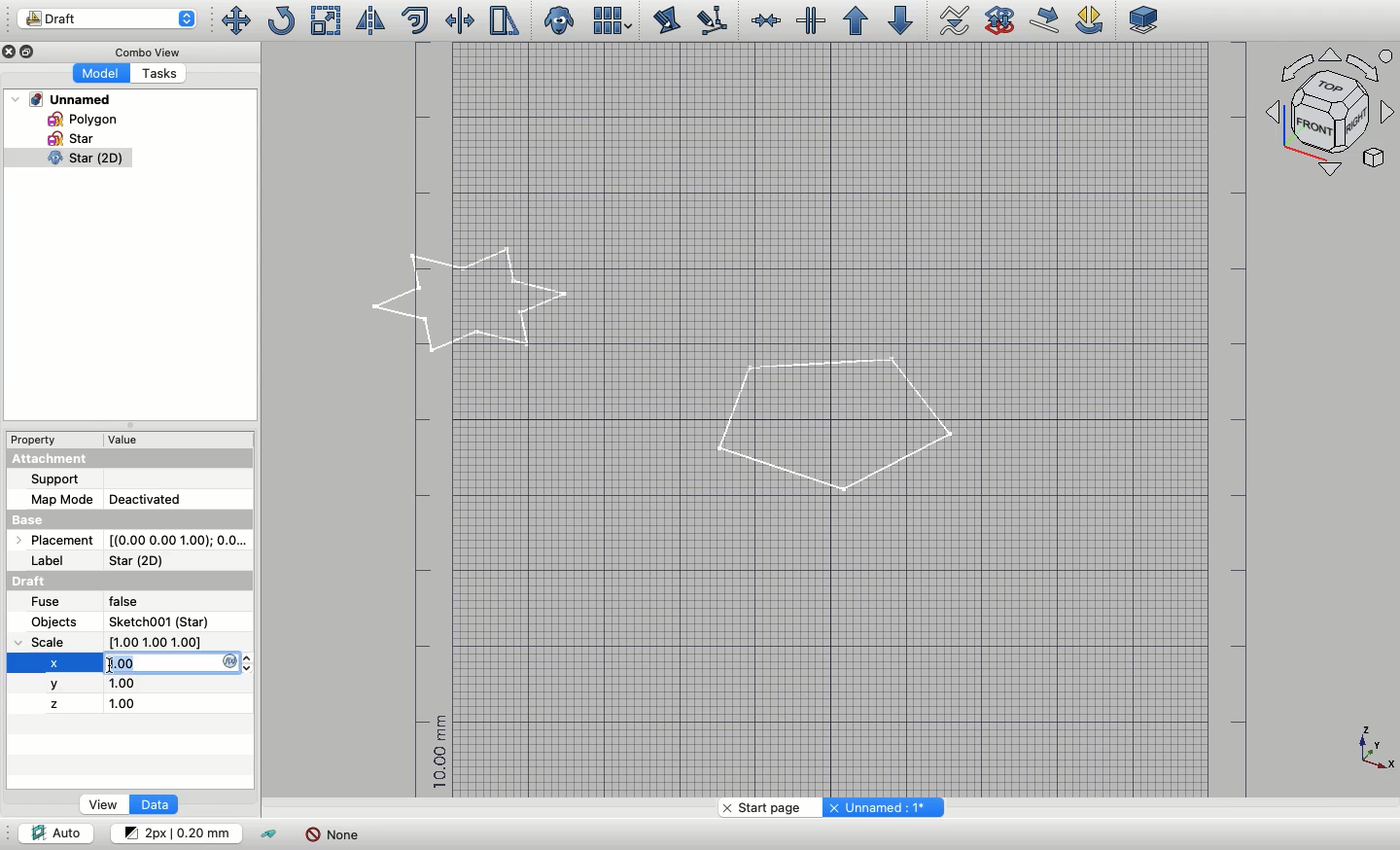 Image resolution: width=1400 pixels, height=850 pixels. I want to click on Map mode, so click(61, 500).